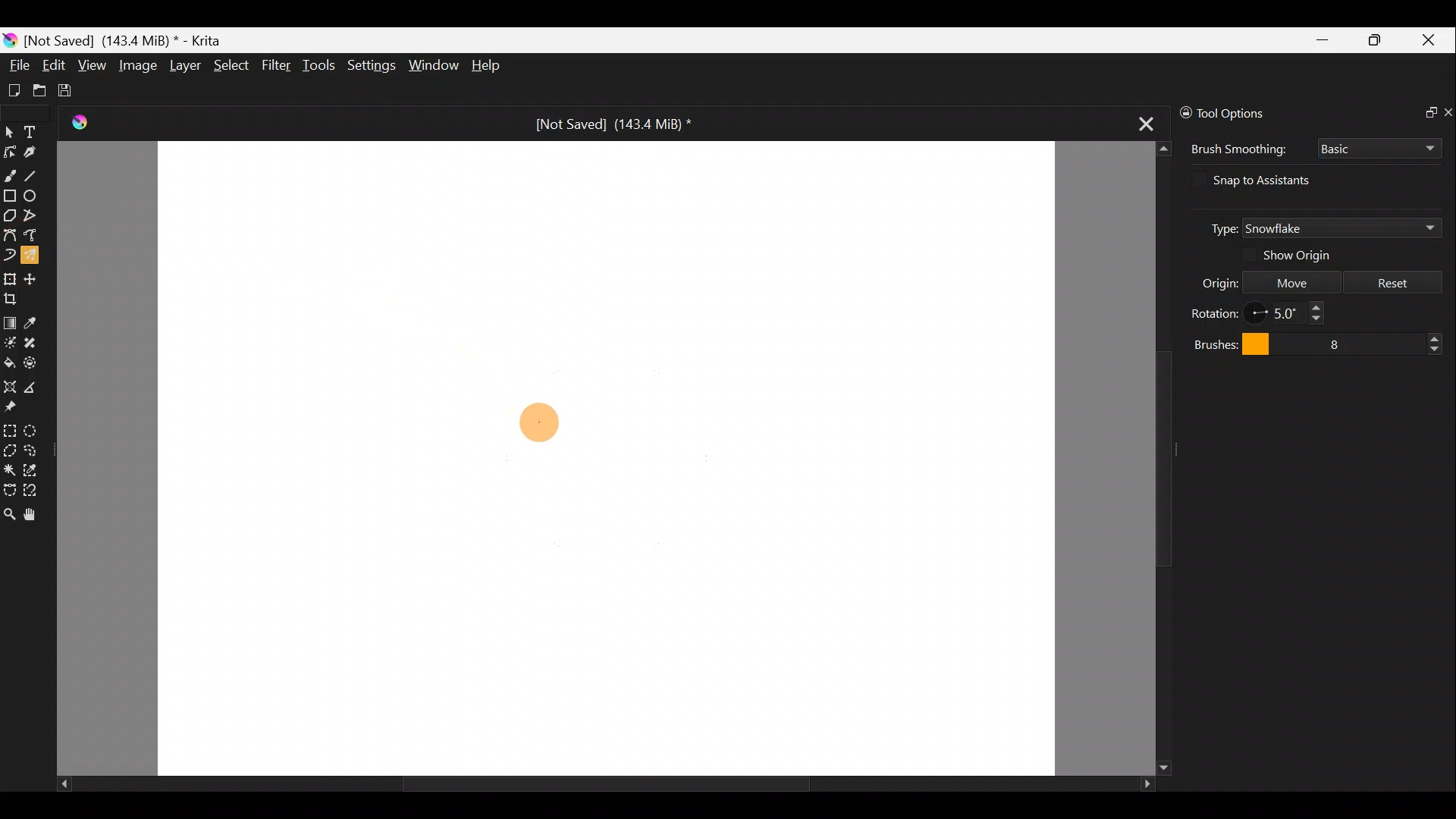  I want to click on Create new document, so click(14, 90).